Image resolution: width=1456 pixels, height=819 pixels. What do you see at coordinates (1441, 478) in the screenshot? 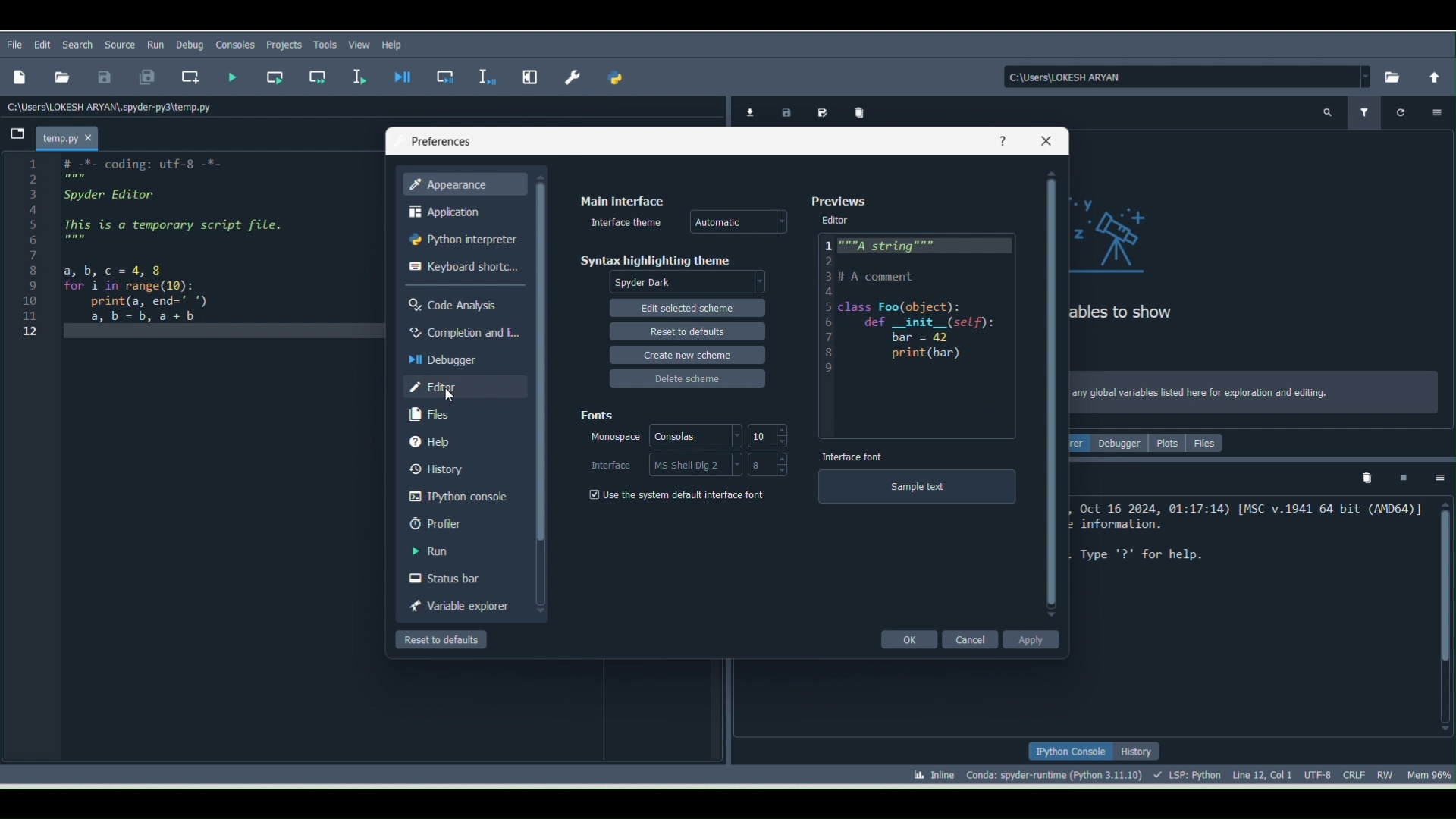
I see `Options` at bounding box center [1441, 478].